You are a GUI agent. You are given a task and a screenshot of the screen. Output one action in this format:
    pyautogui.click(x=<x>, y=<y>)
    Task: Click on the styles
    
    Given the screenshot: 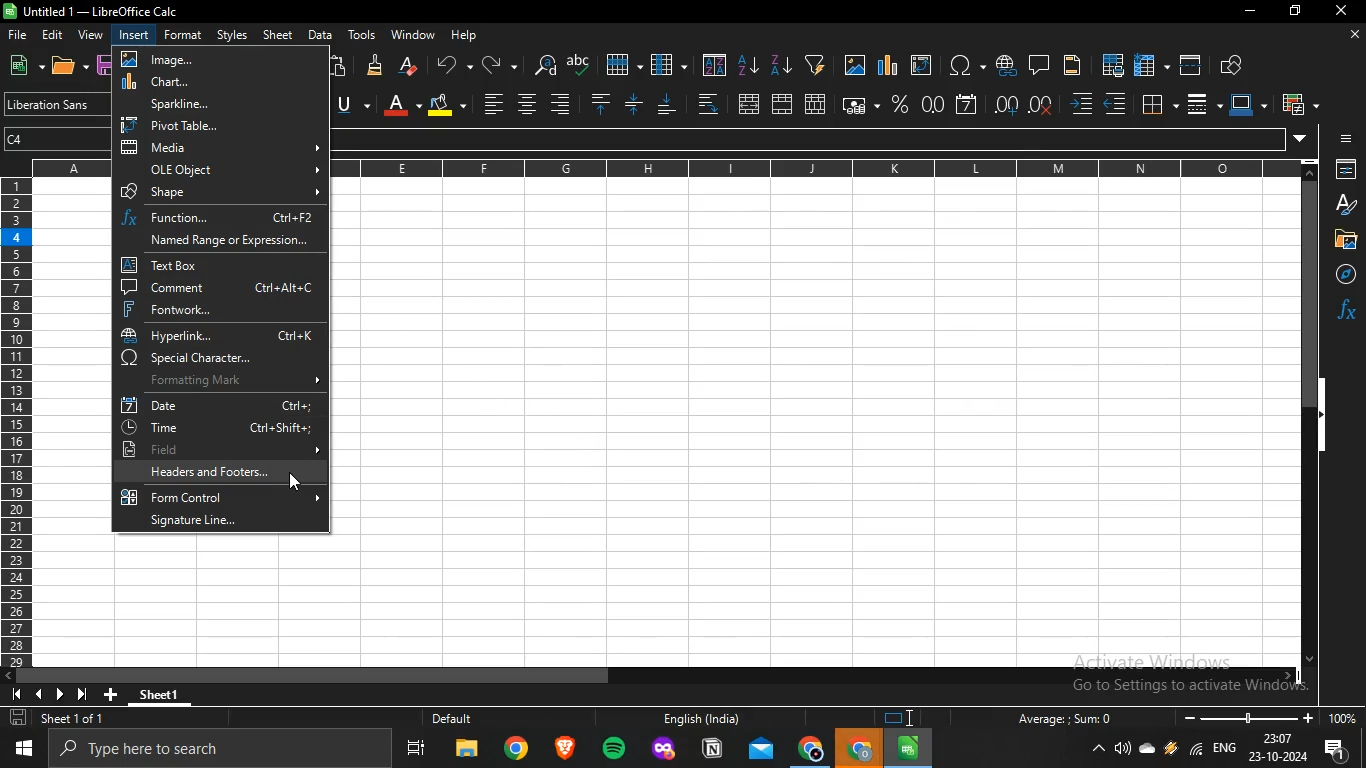 What is the action you would take?
    pyautogui.click(x=231, y=36)
    